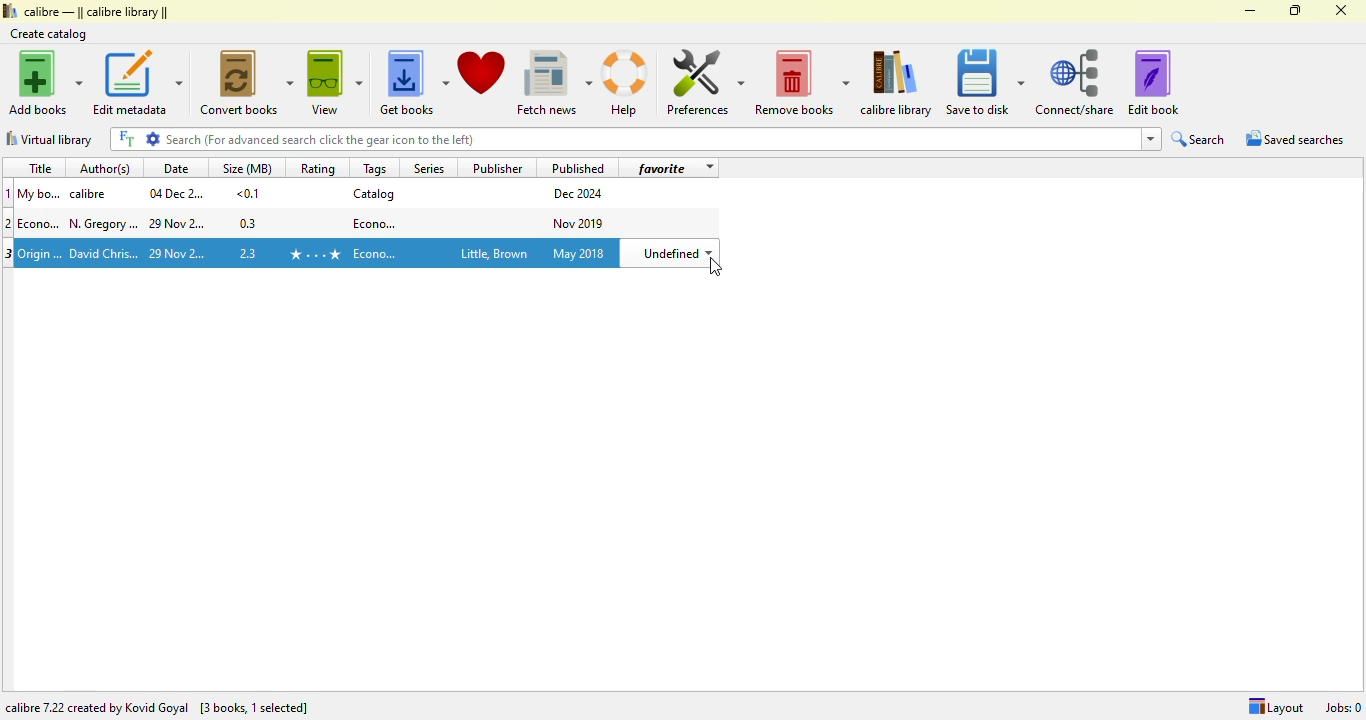  I want to click on catalog, so click(374, 193).